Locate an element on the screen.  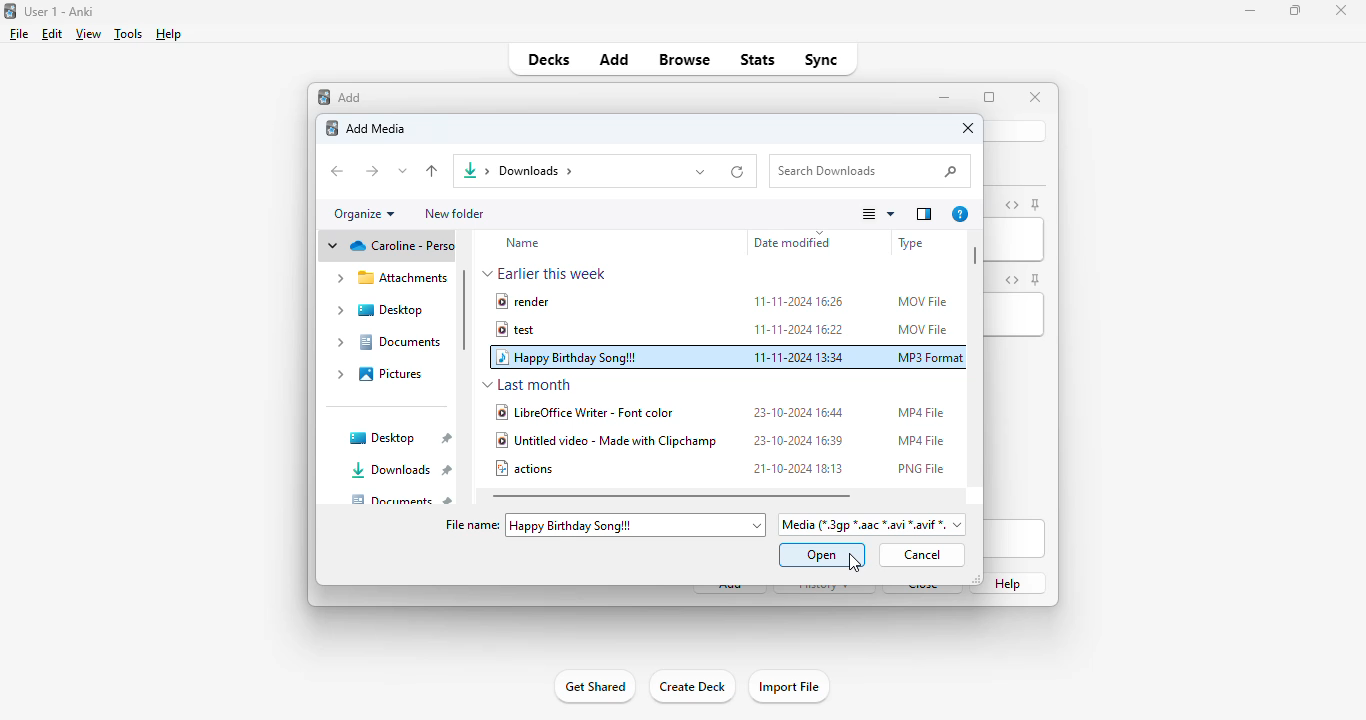
"happy birthday song!!!" added is located at coordinates (635, 525).